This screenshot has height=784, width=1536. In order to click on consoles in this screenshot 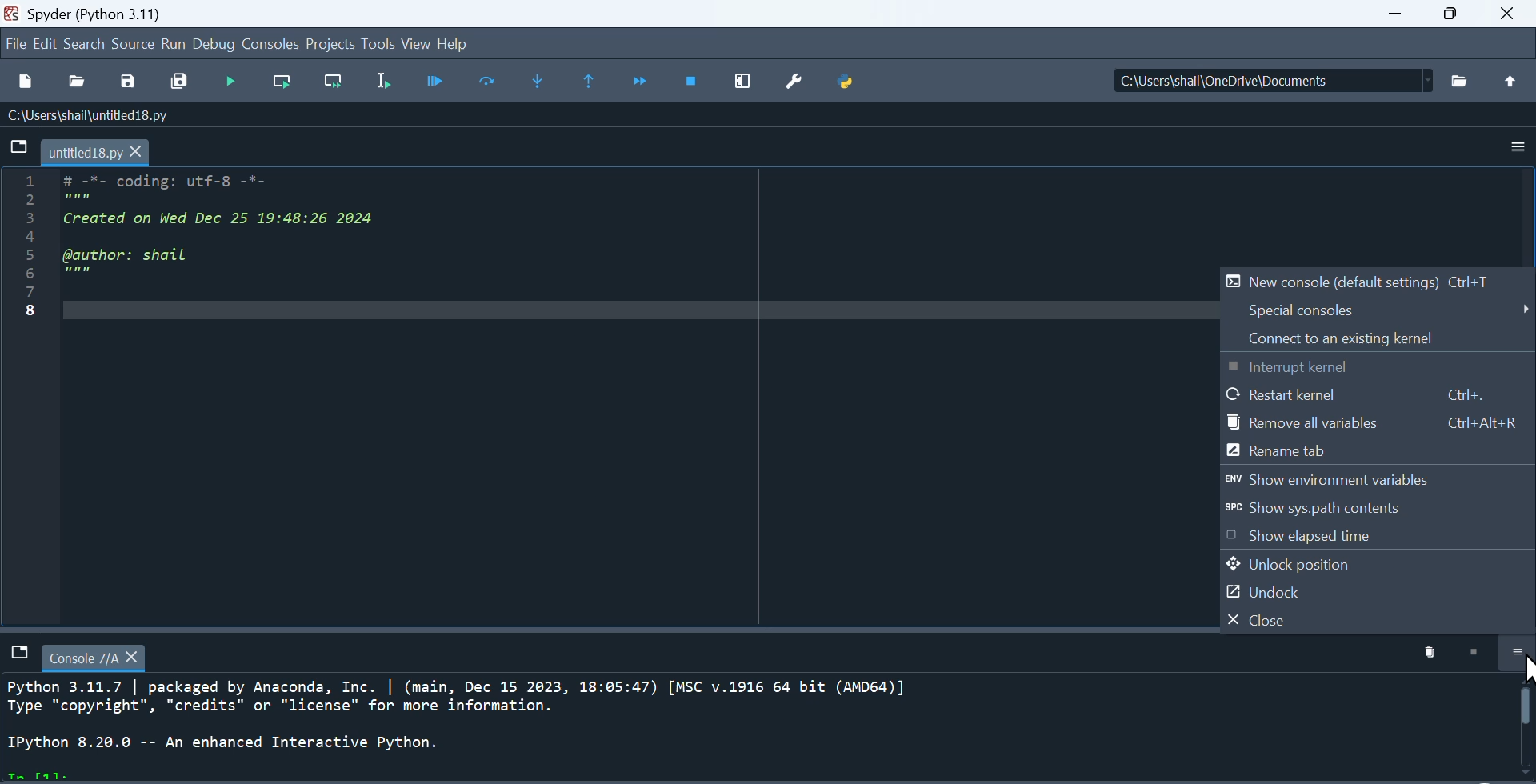, I will do `click(267, 44)`.